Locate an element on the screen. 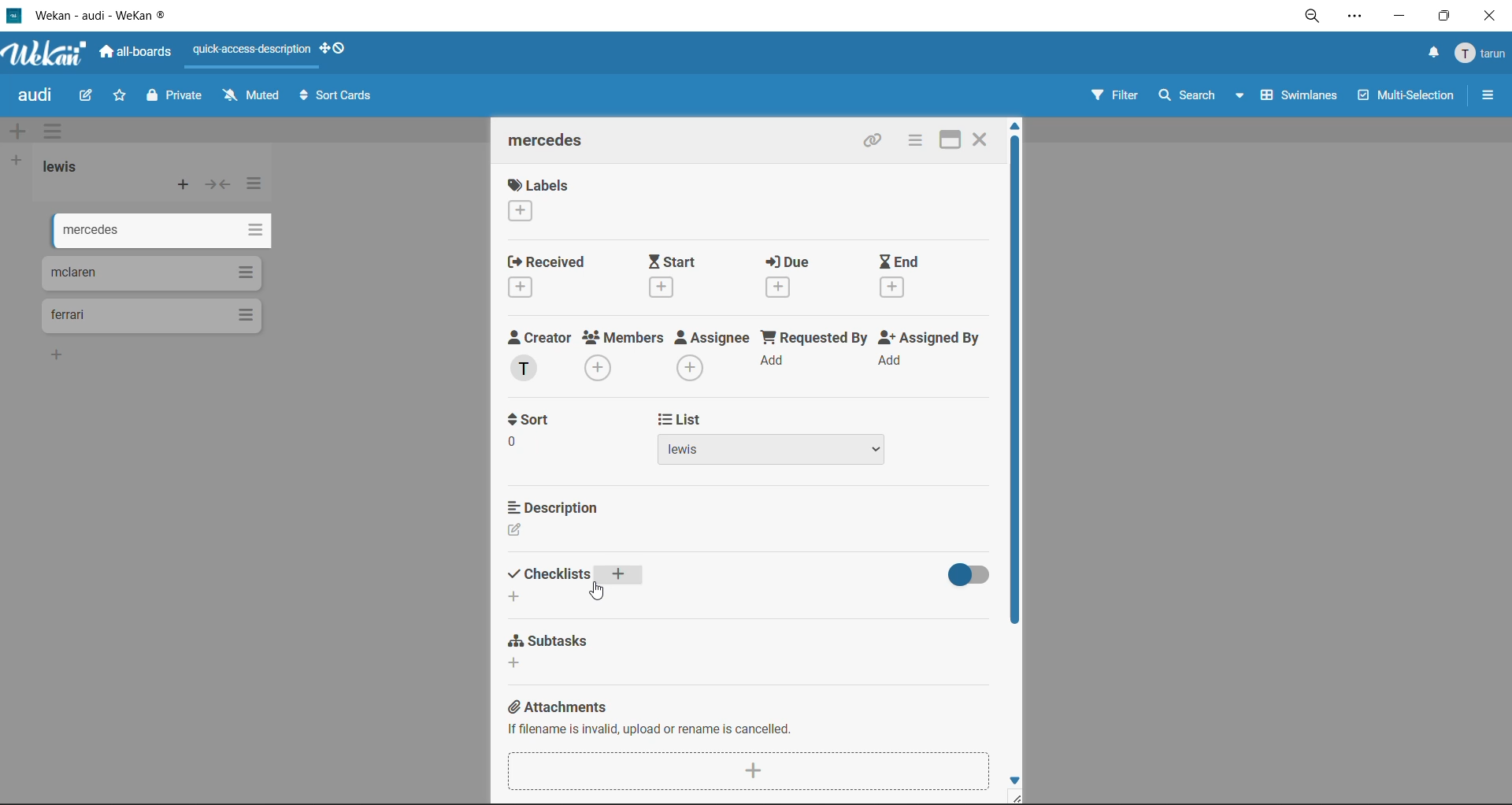 This screenshot has height=805, width=1512. start is located at coordinates (684, 276).